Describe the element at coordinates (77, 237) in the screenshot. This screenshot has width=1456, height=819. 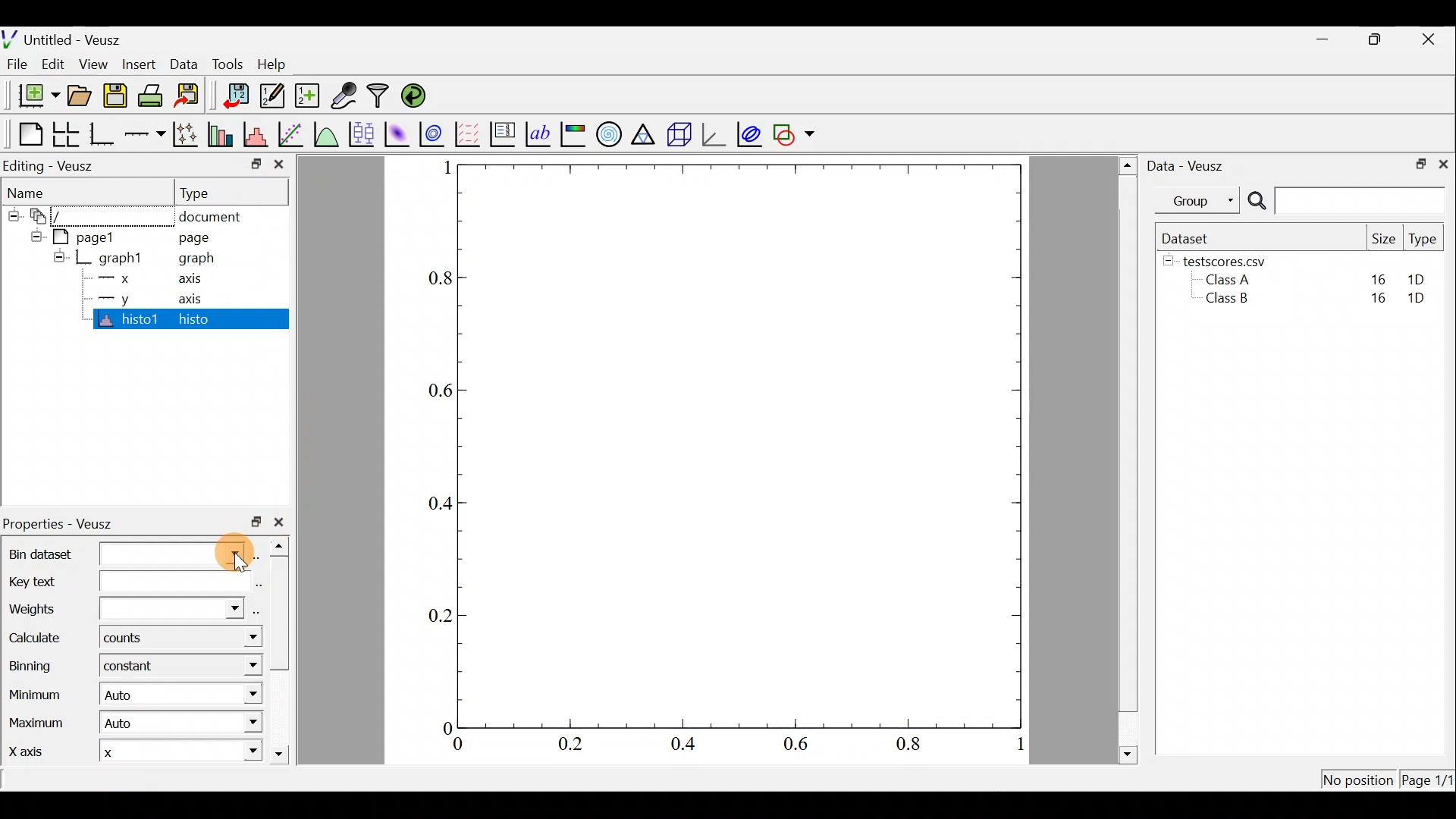
I see `page1` at that location.